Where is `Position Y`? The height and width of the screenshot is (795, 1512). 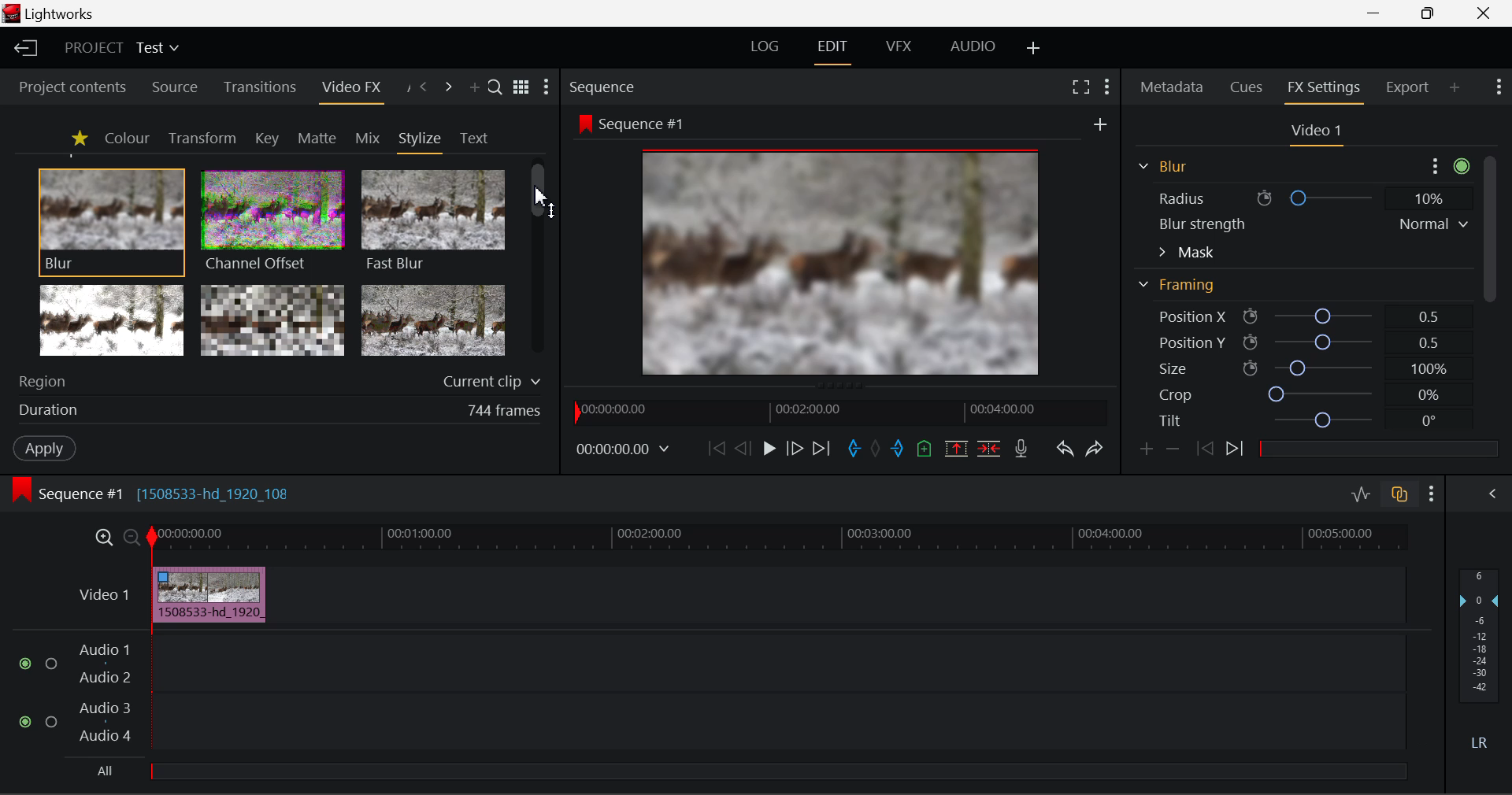 Position Y is located at coordinates (1296, 342).